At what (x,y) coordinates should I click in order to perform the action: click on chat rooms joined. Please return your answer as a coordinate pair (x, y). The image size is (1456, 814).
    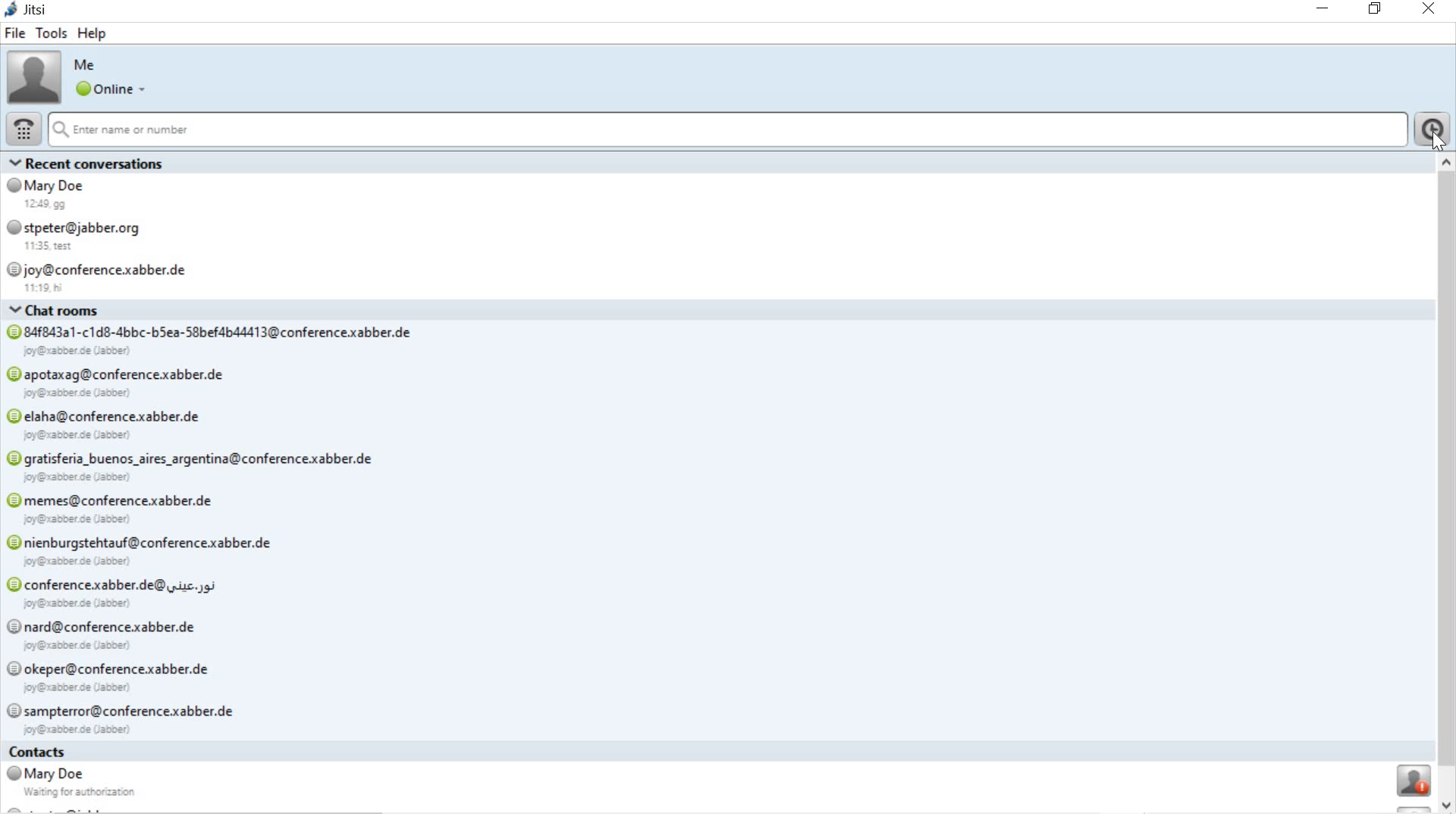
    Looking at the image, I should click on (717, 517).